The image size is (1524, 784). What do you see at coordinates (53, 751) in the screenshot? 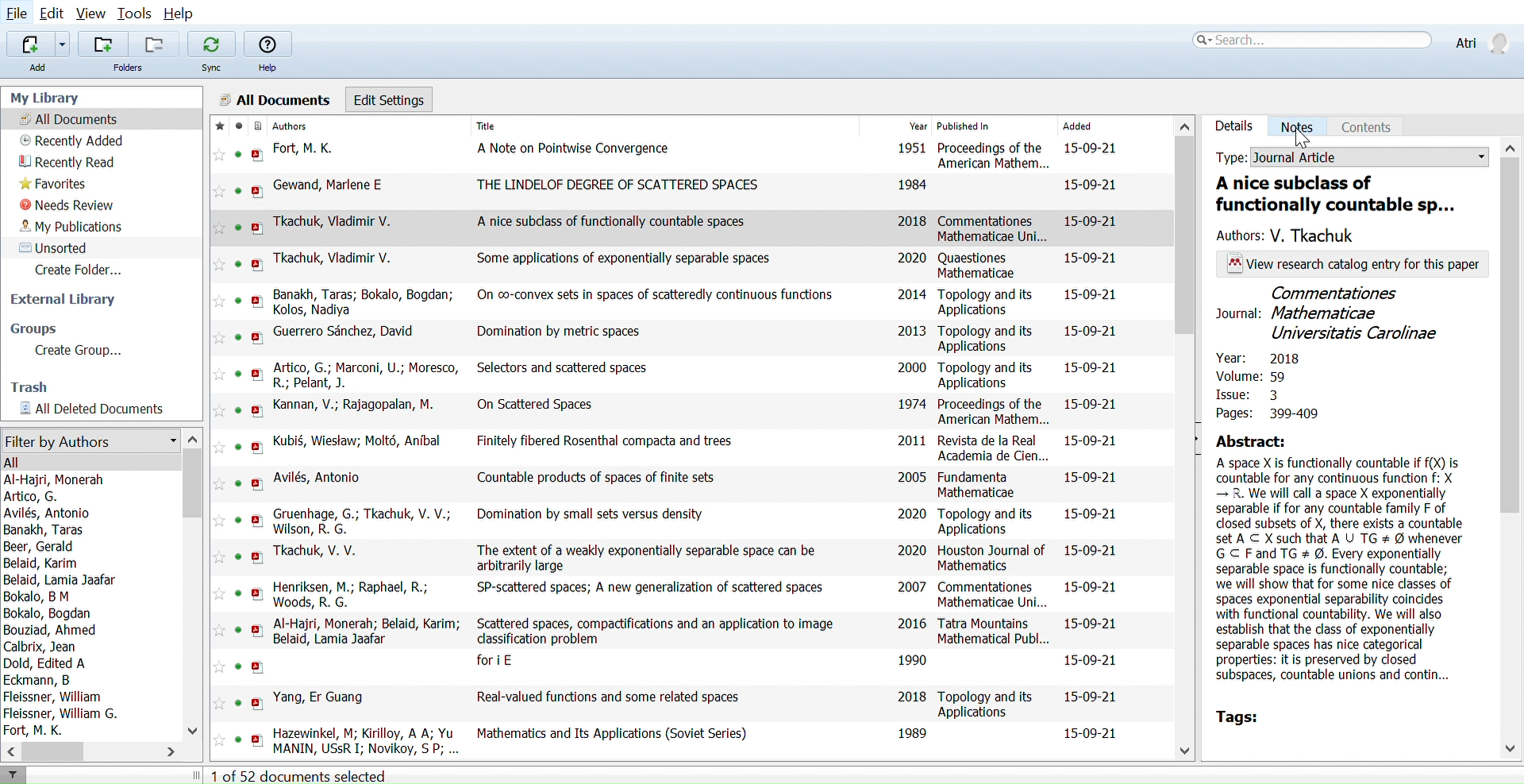
I see `Horizontal scrollbar for filter by auhtors` at bounding box center [53, 751].